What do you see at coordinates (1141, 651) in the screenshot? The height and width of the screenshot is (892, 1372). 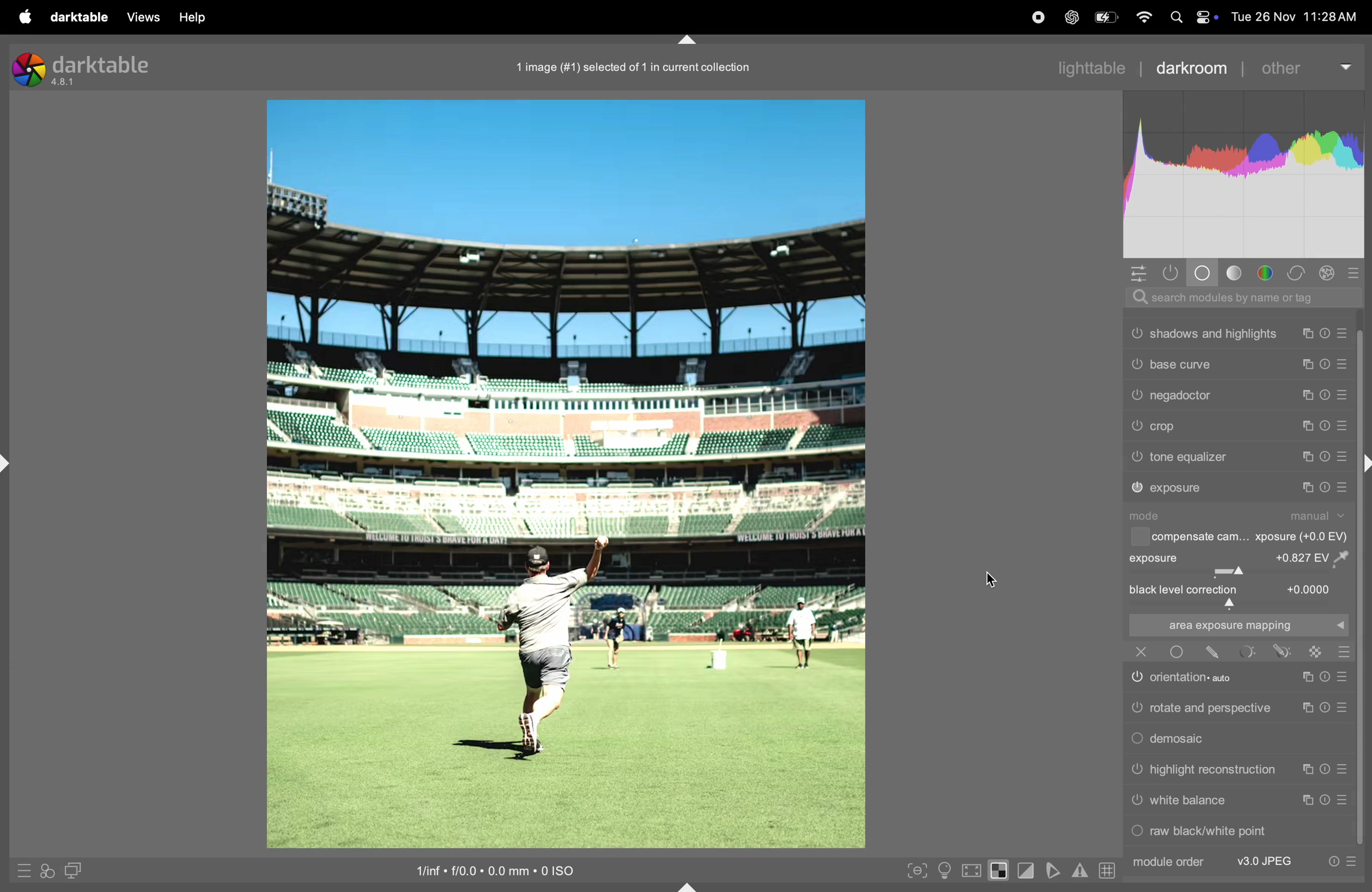 I see `close` at bounding box center [1141, 651].